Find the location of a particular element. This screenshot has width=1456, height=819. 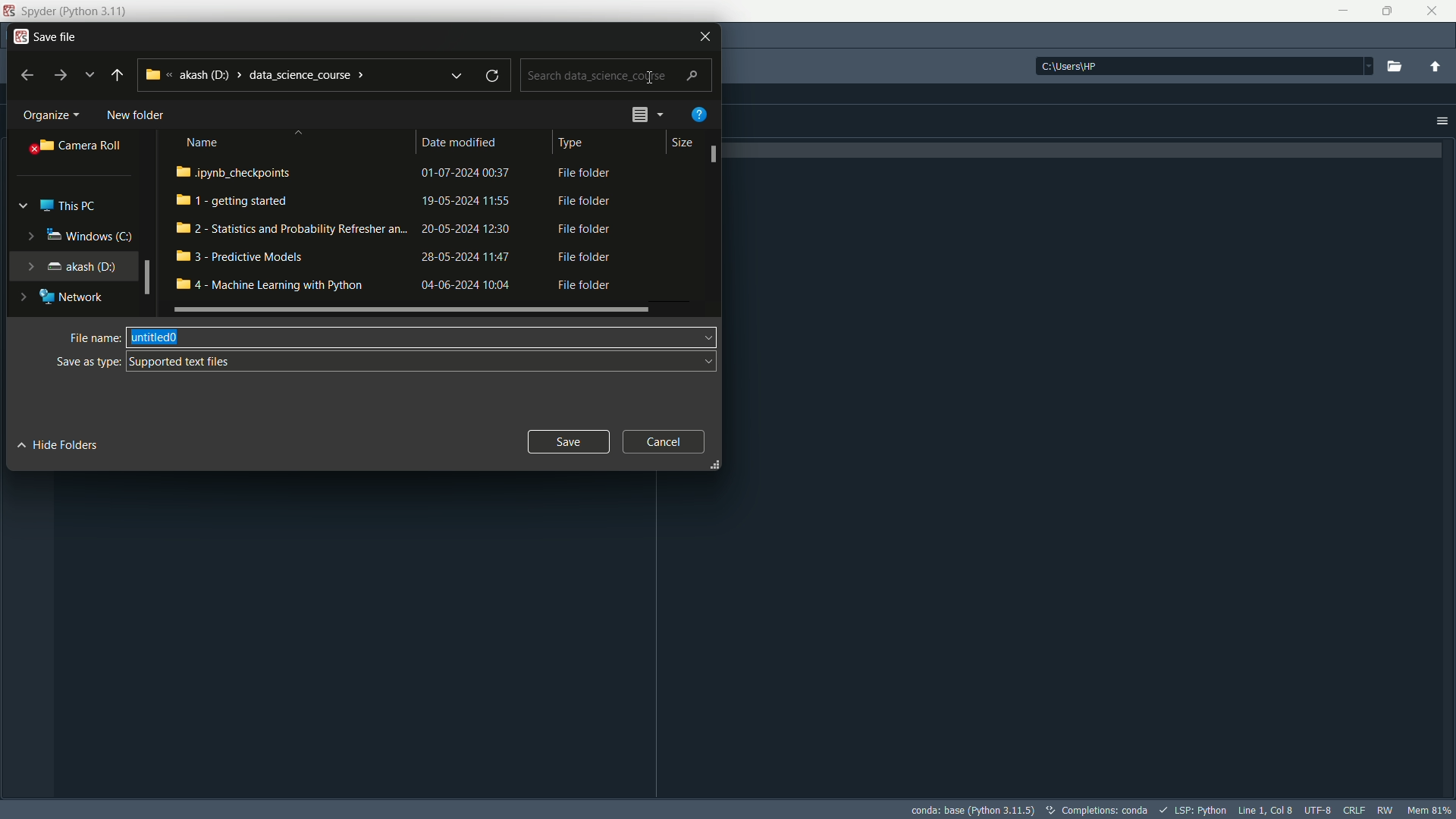

type is located at coordinates (570, 141).